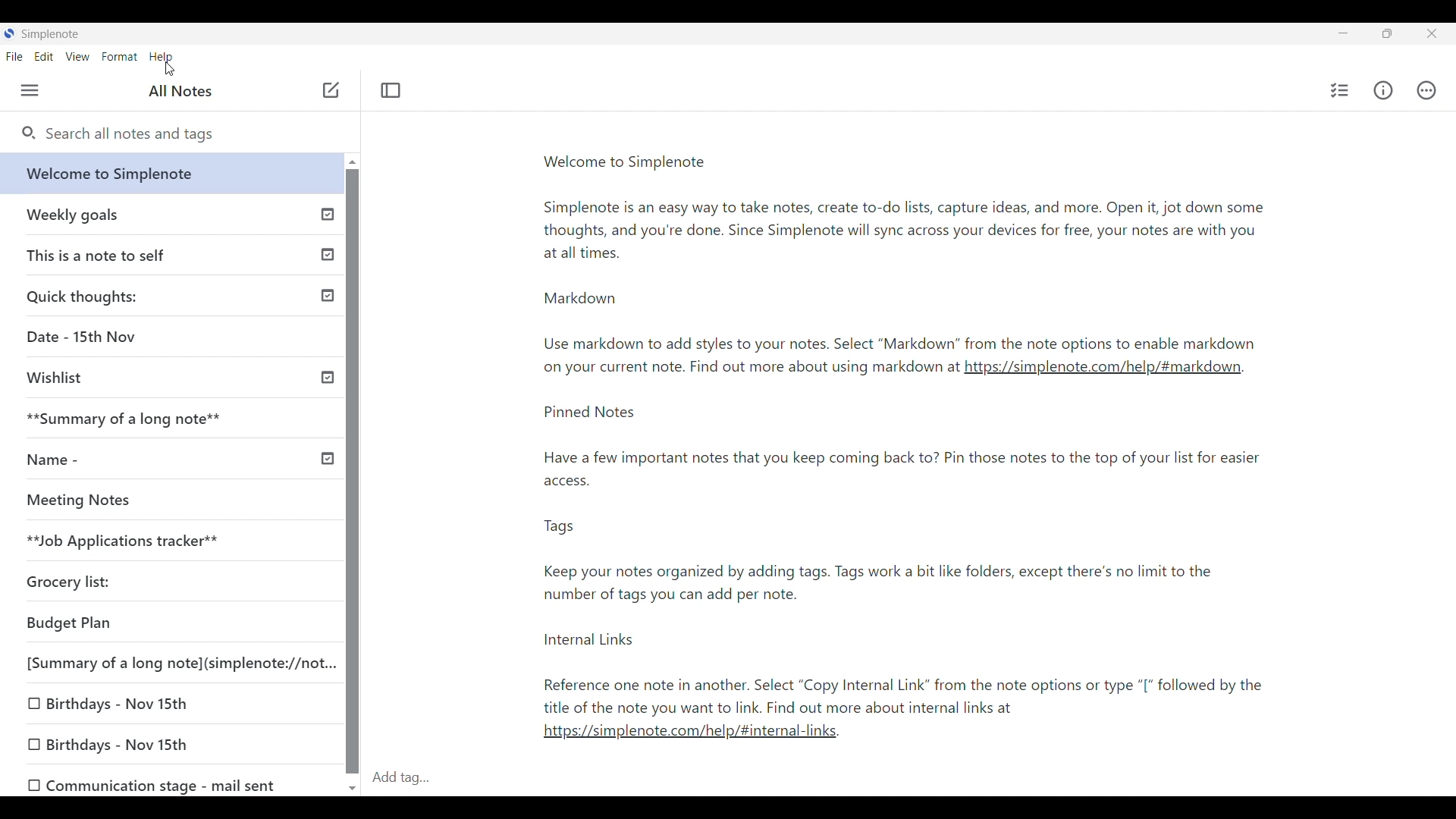 The width and height of the screenshot is (1456, 819). Describe the element at coordinates (324, 213) in the screenshot. I see `Published` at that location.